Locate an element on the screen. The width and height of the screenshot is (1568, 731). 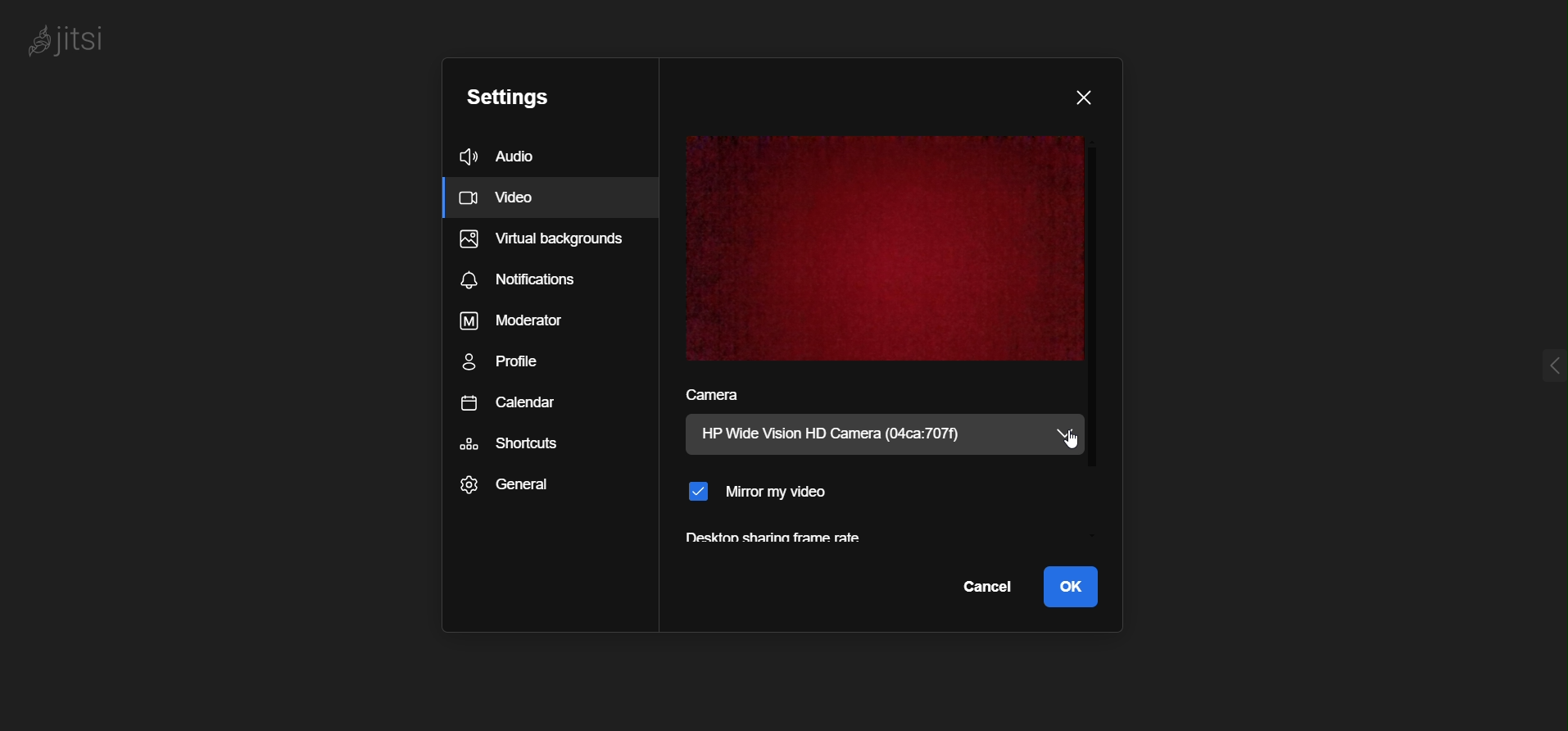
ok is located at coordinates (1072, 585).